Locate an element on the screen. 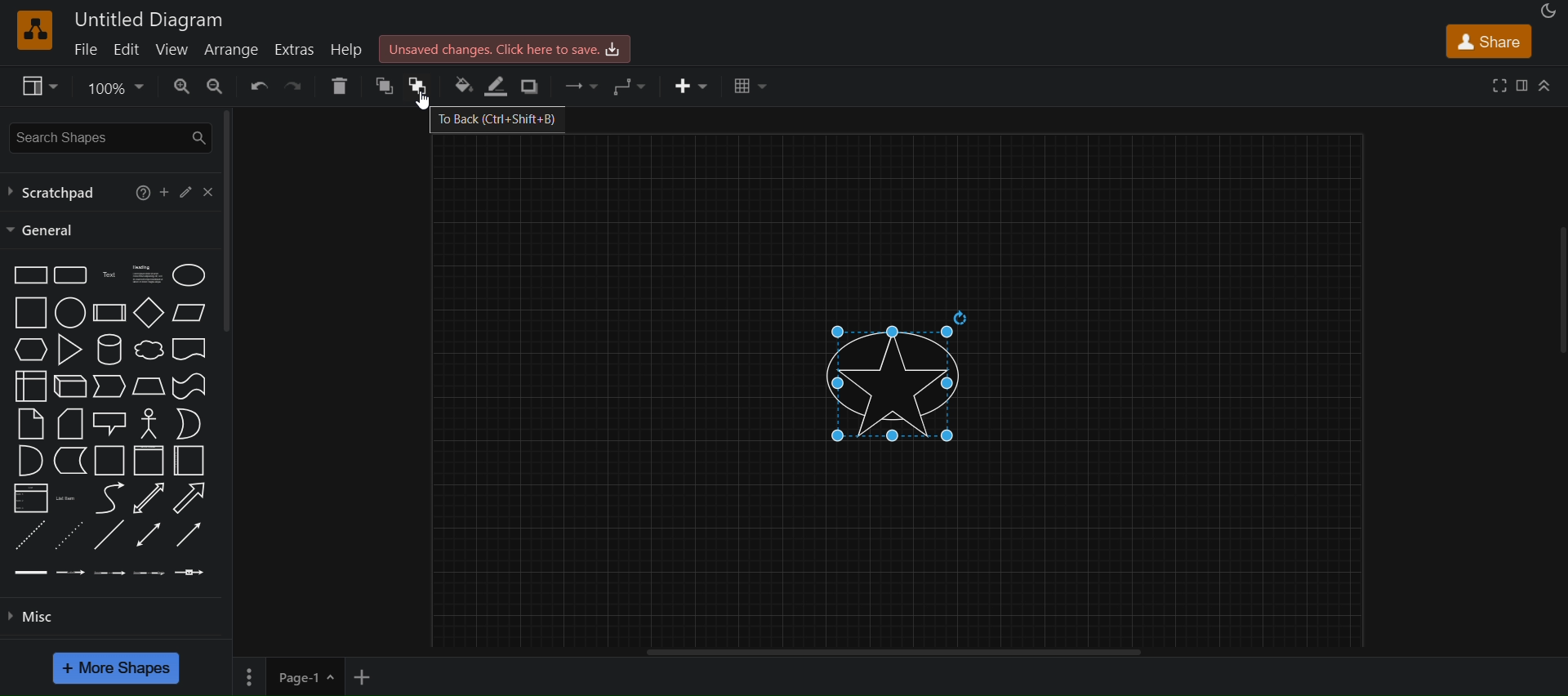 This screenshot has width=1568, height=696. to front  is located at coordinates (380, 88).